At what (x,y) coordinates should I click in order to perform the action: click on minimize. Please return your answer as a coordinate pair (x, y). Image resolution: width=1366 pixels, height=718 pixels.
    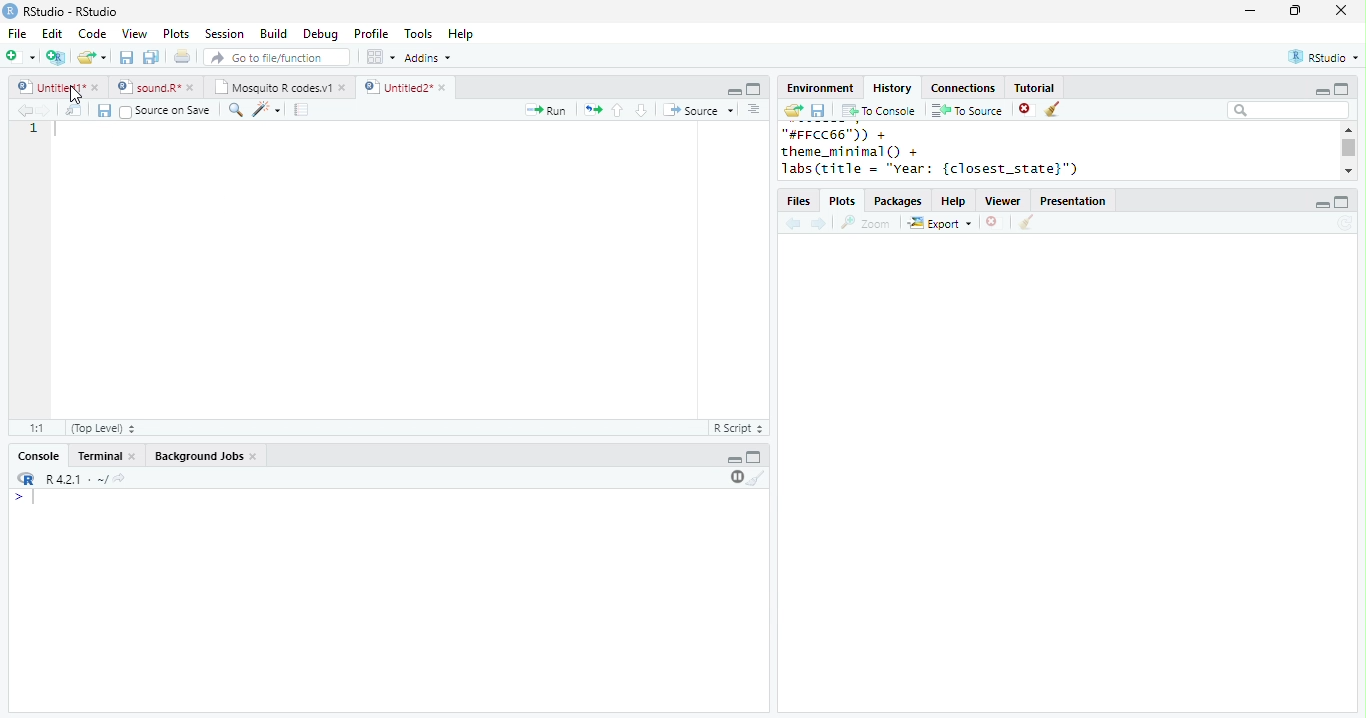
    Looking at the image, I should click on (1321, 205).